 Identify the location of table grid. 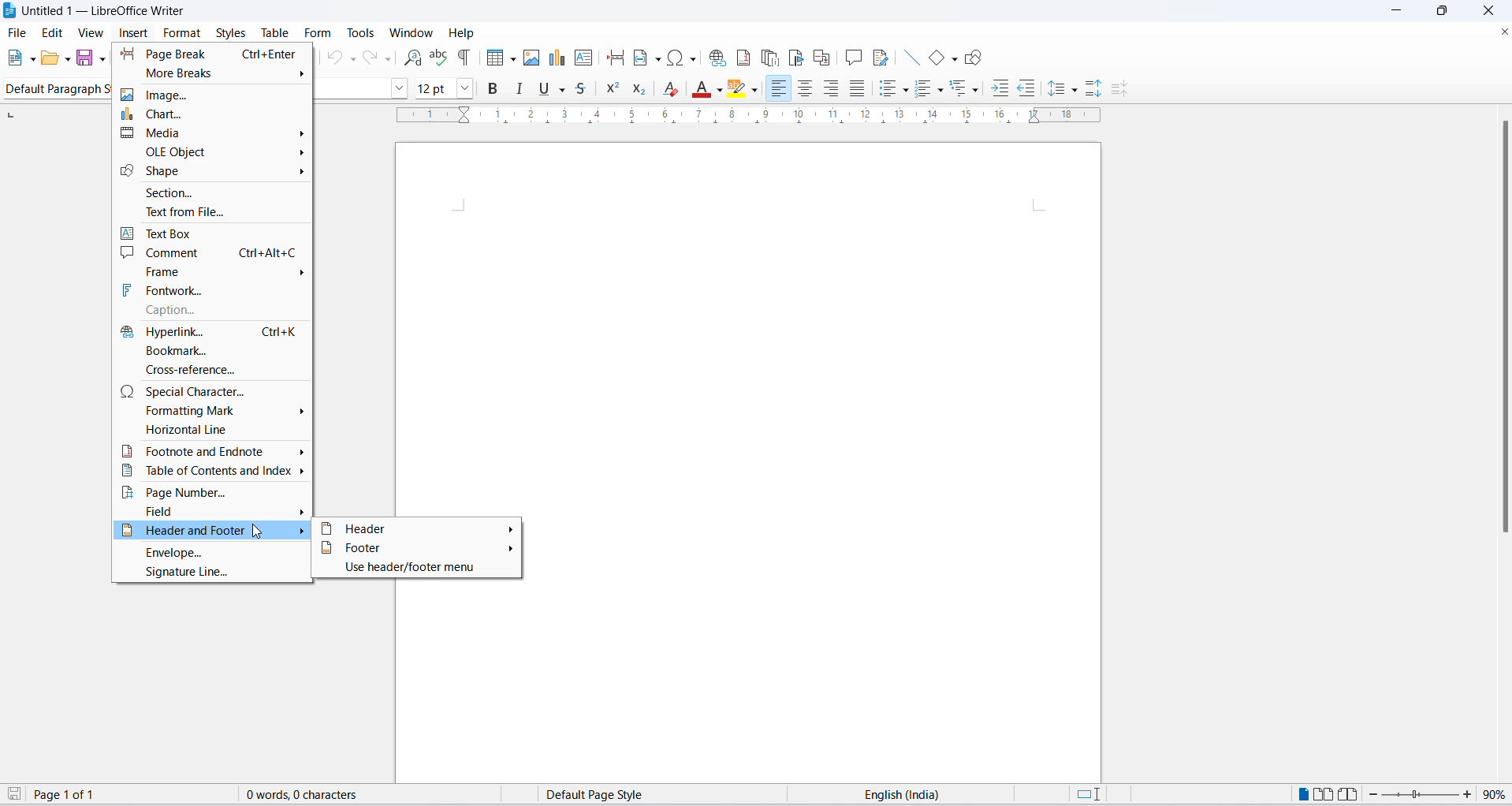
(512, 59).